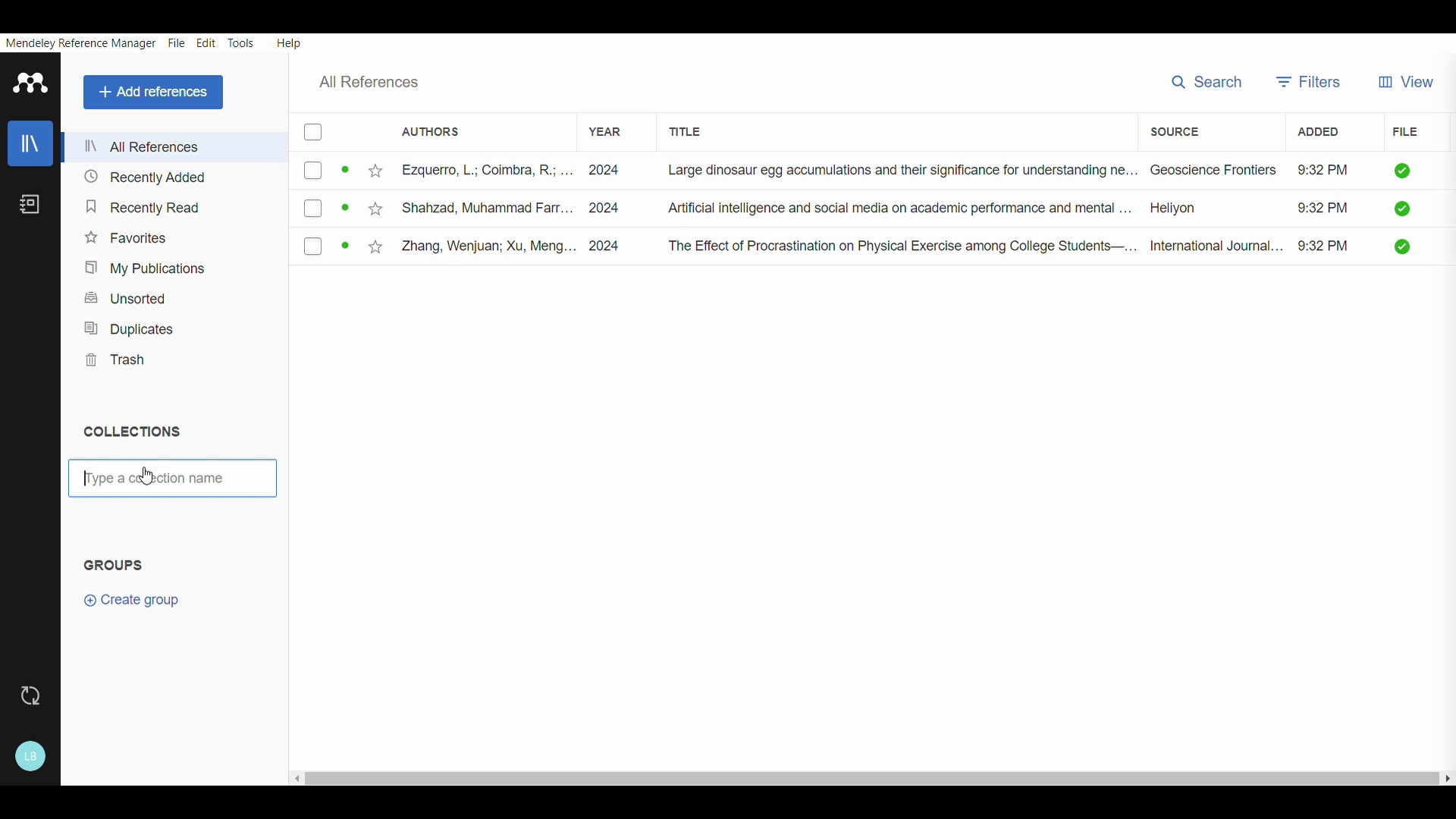  What do you see at coordinates (32, 754) in the screenshot?
I see `Account & help` at bounding box center [32, 754].